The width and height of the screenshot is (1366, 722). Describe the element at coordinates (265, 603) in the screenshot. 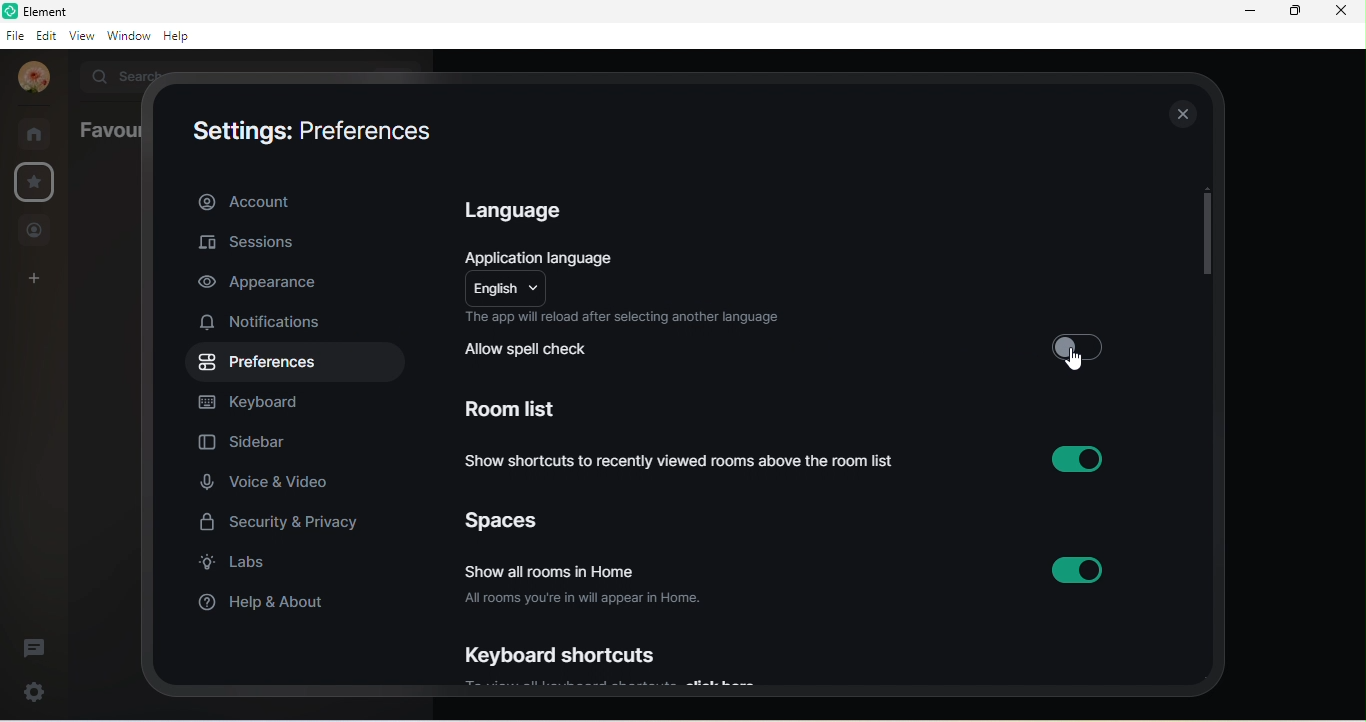

I see `help and about` at that location.